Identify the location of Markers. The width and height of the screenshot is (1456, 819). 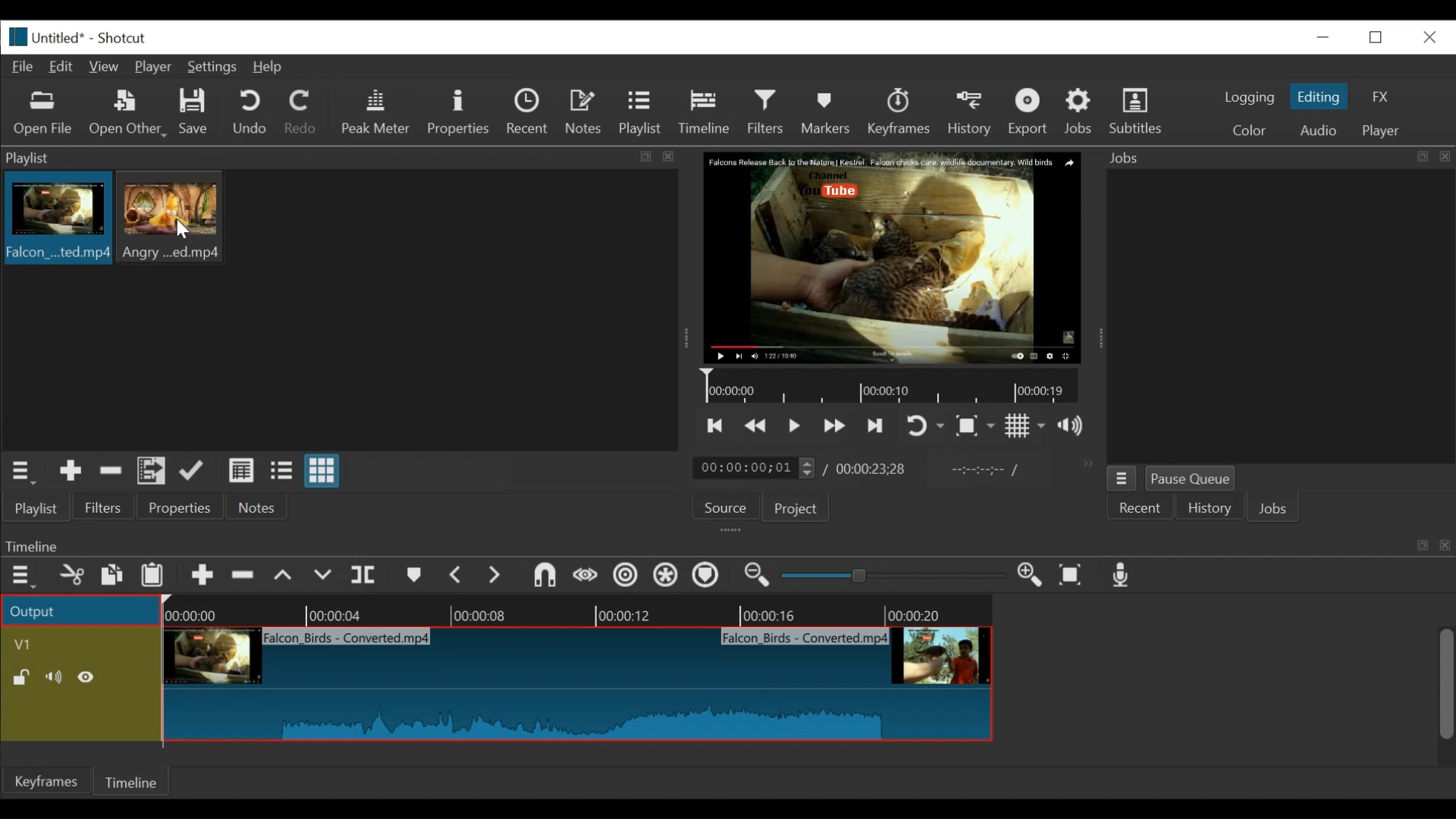
(829, 111).